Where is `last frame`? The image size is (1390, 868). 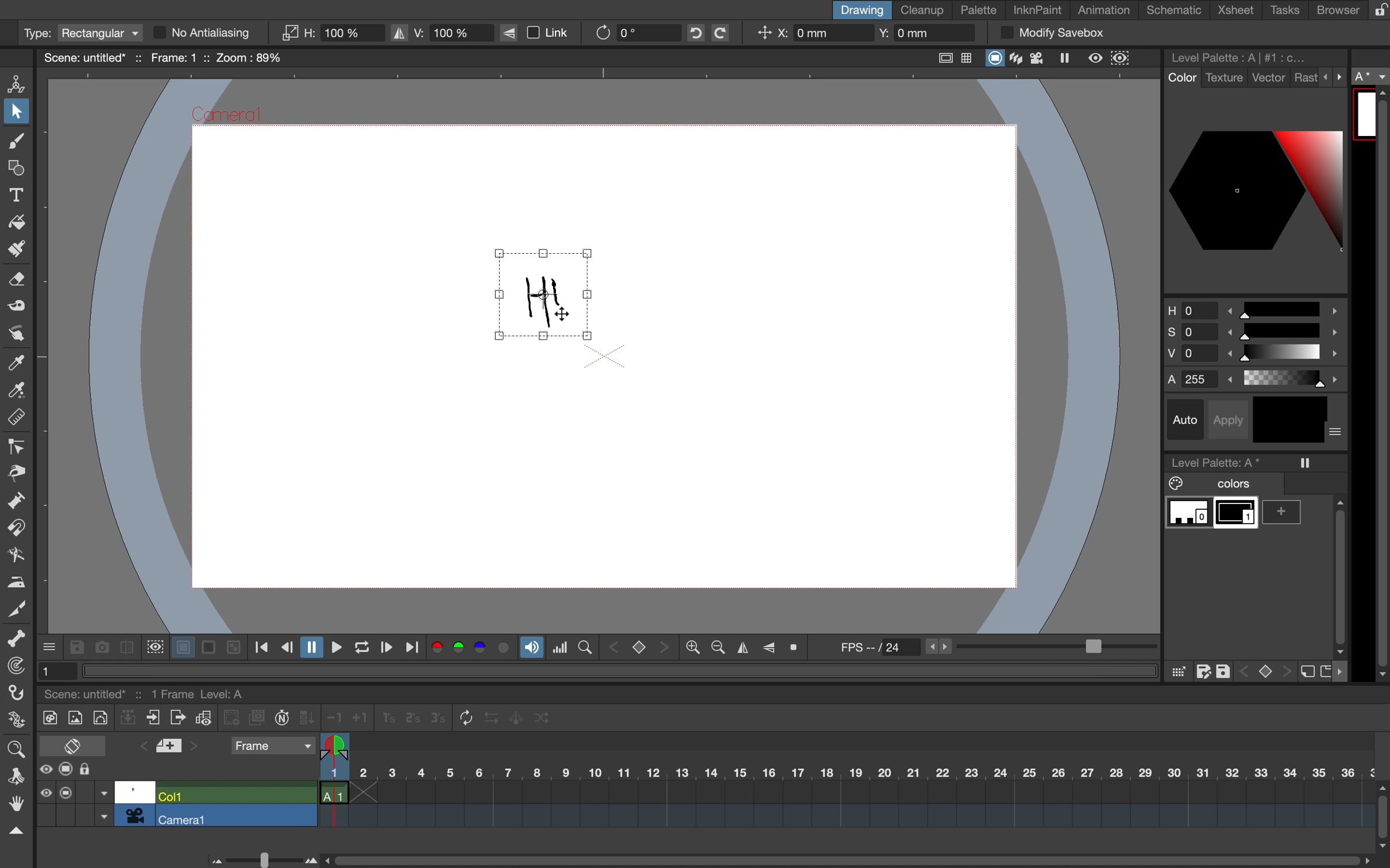 last frame is located at coordinates (414, 648).